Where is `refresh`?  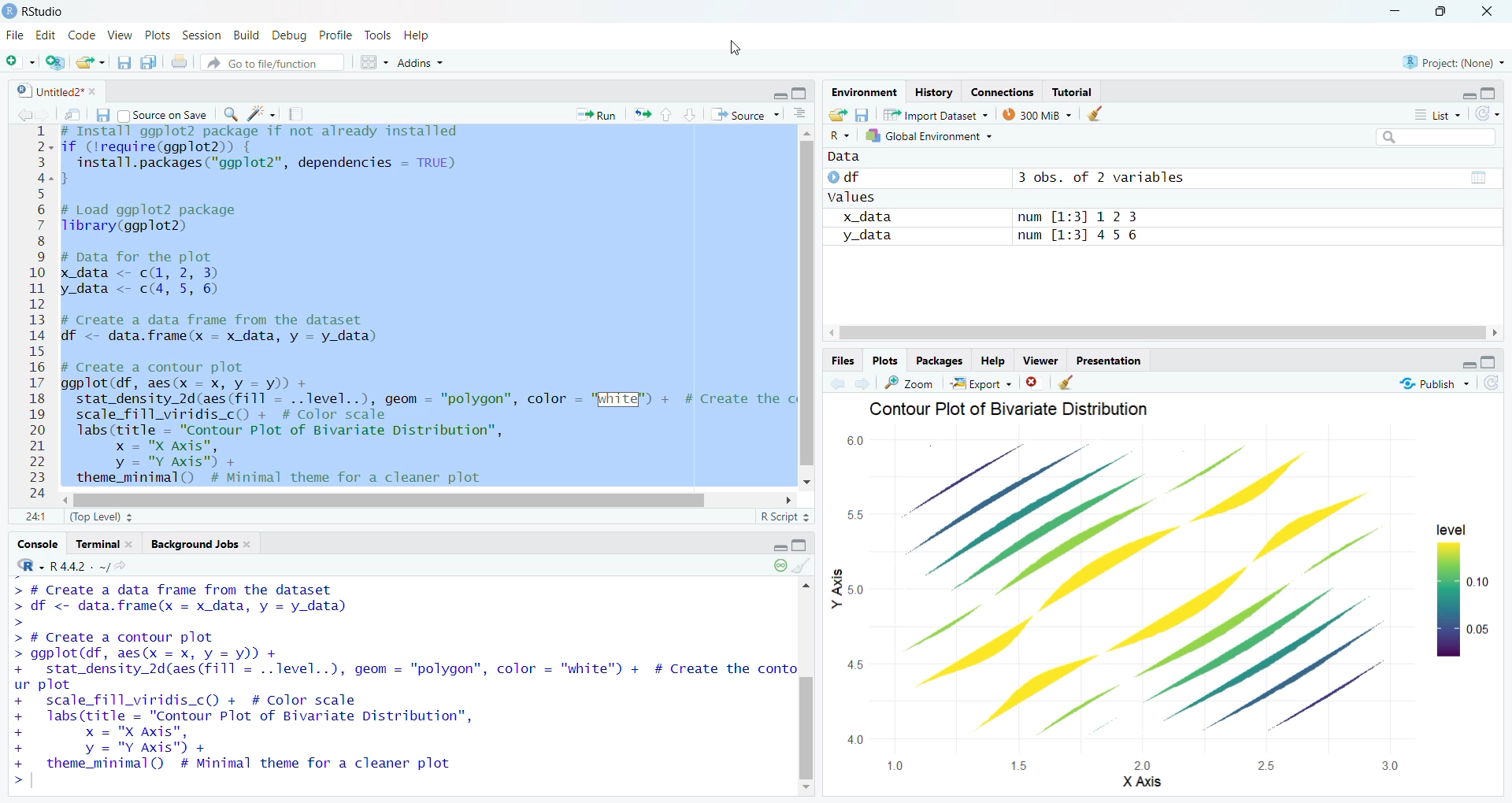
refresh is located at coordinates (1492, 113).